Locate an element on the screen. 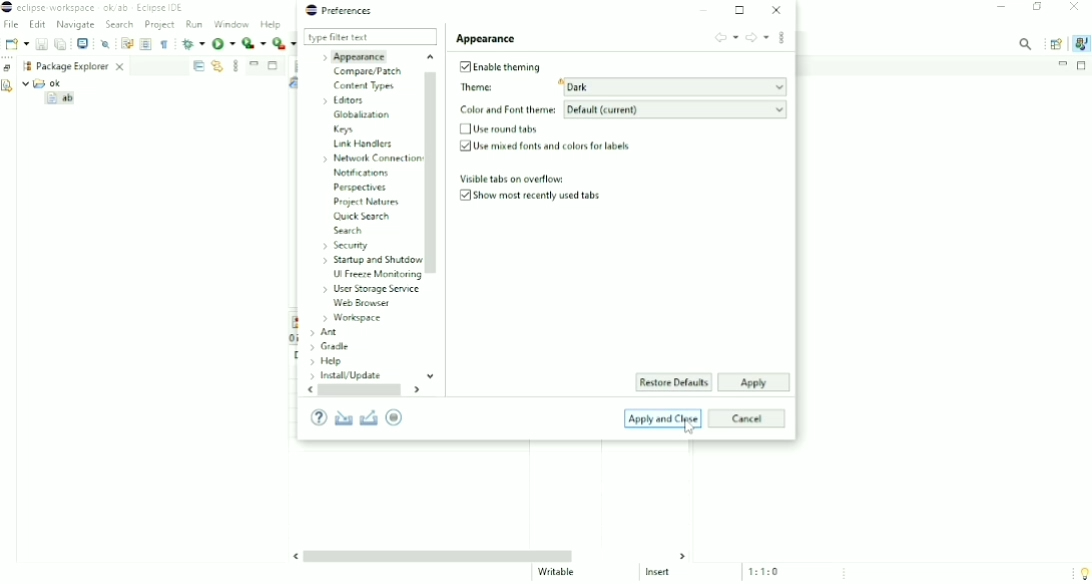 This screenshot has height=584, width=1092. Title is located at coordinates (98, 8).